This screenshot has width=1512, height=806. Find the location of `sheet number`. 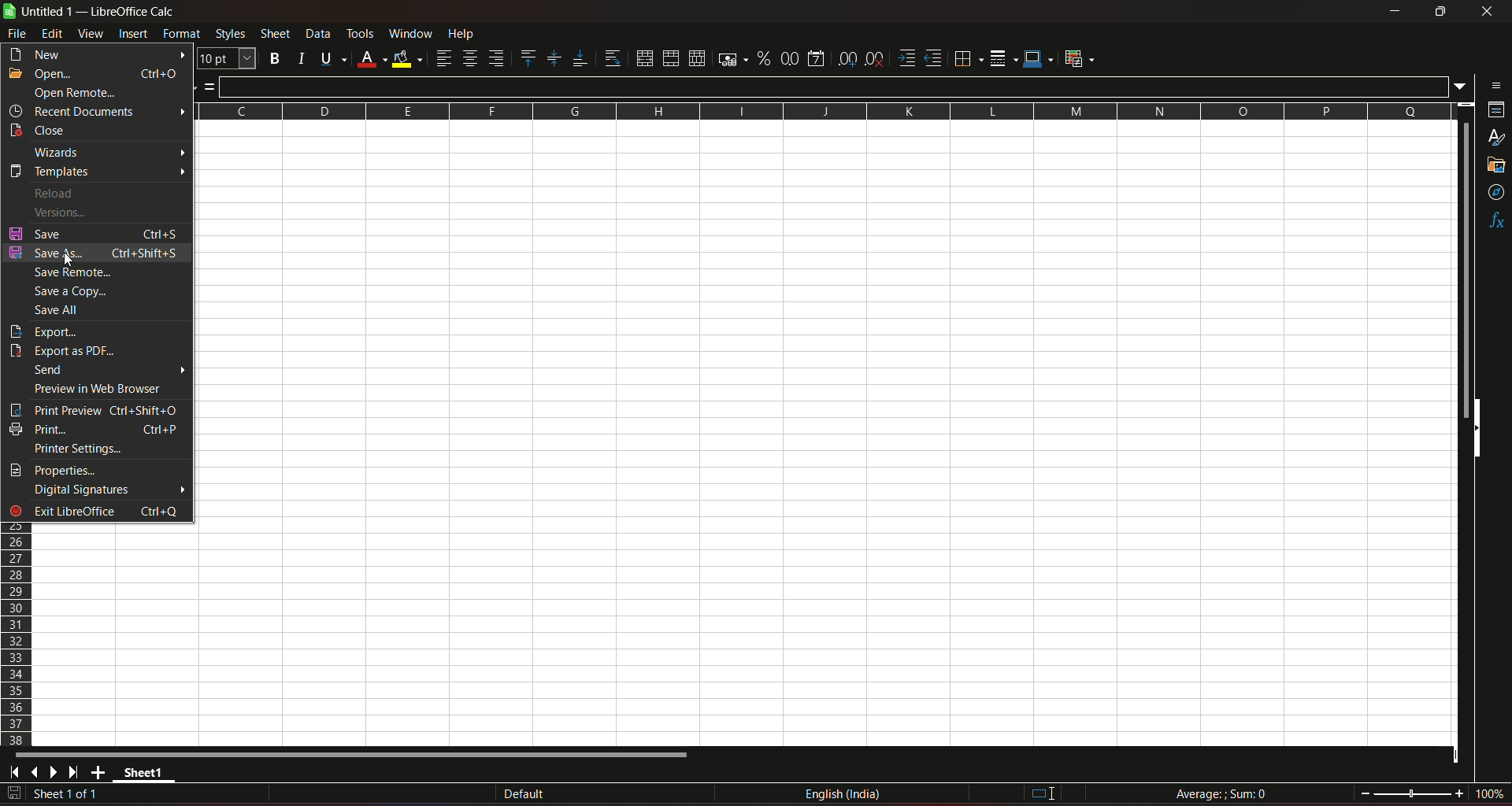

sheet number is located at coordinates (74, 795).